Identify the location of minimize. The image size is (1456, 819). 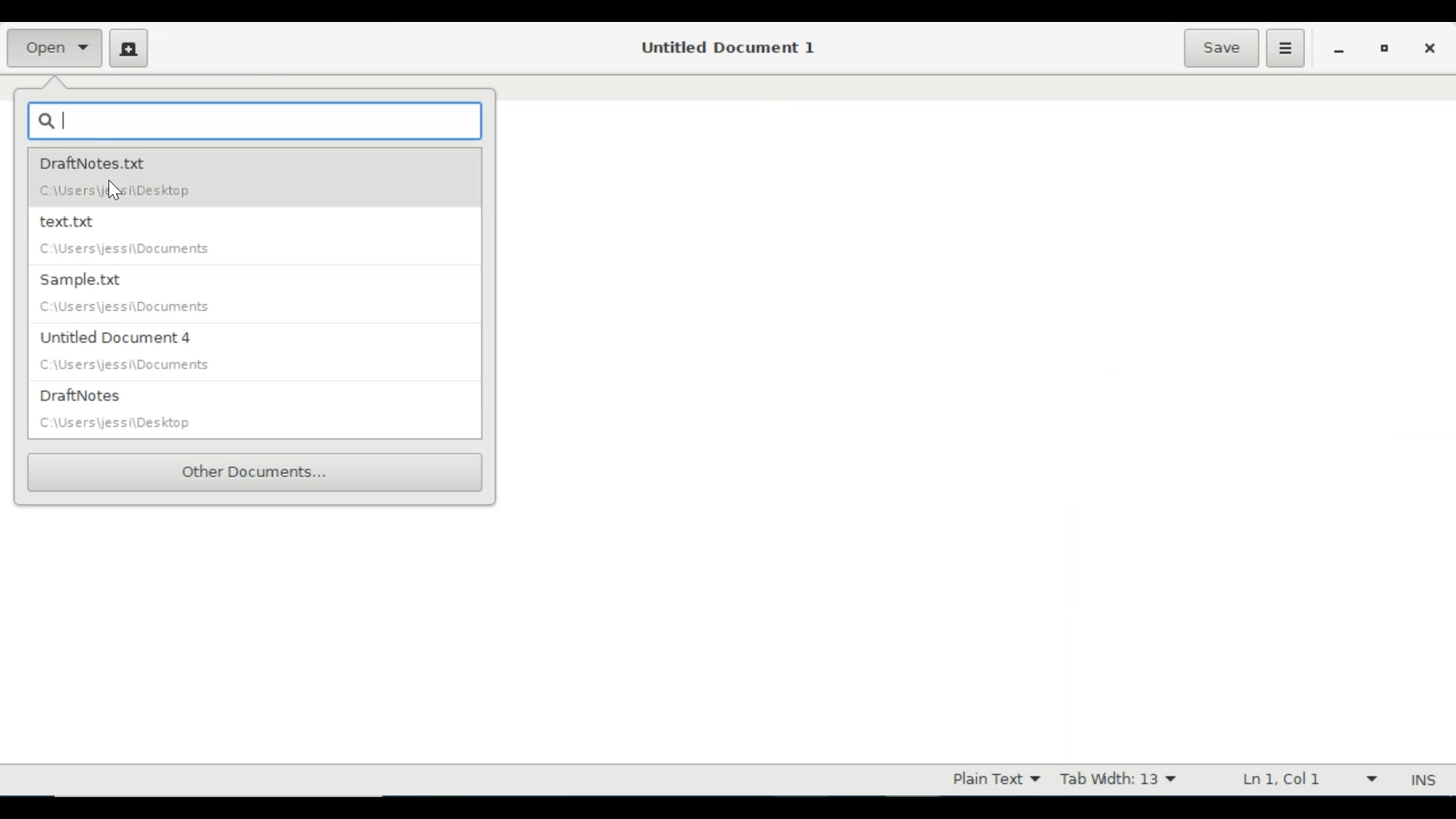
(1338, 48).